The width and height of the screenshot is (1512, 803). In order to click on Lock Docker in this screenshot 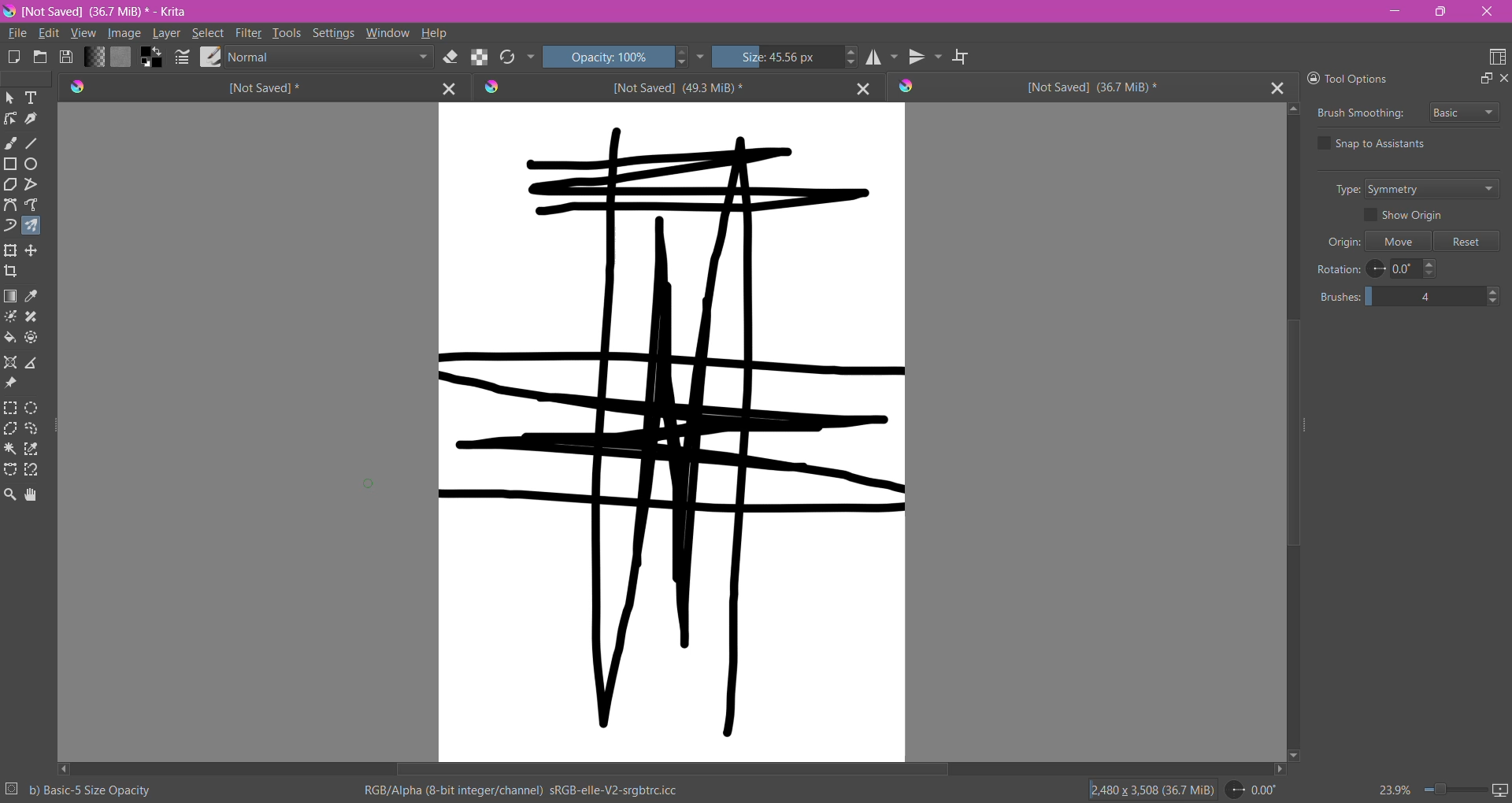, I will do `click(1309, 78)`.